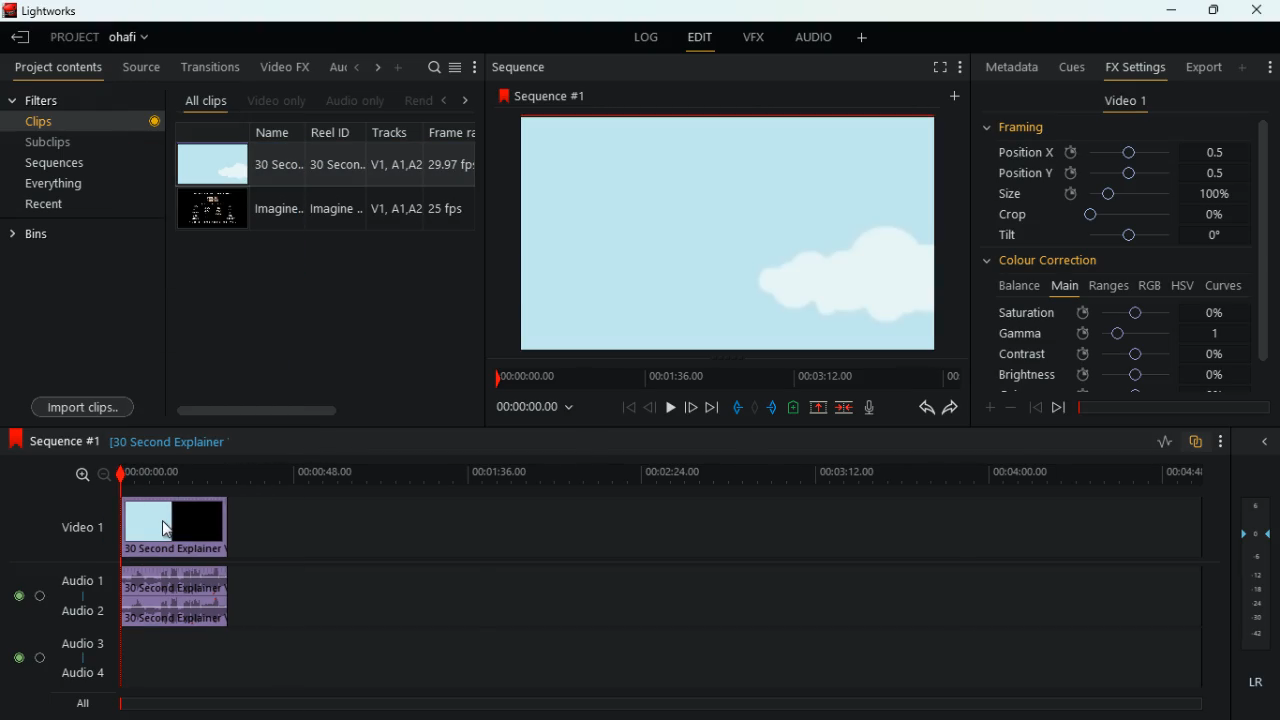  What do you see at coordinates (1106, 286) in the screenshot?
I see `ranges` at bounding box center [1106, 286].